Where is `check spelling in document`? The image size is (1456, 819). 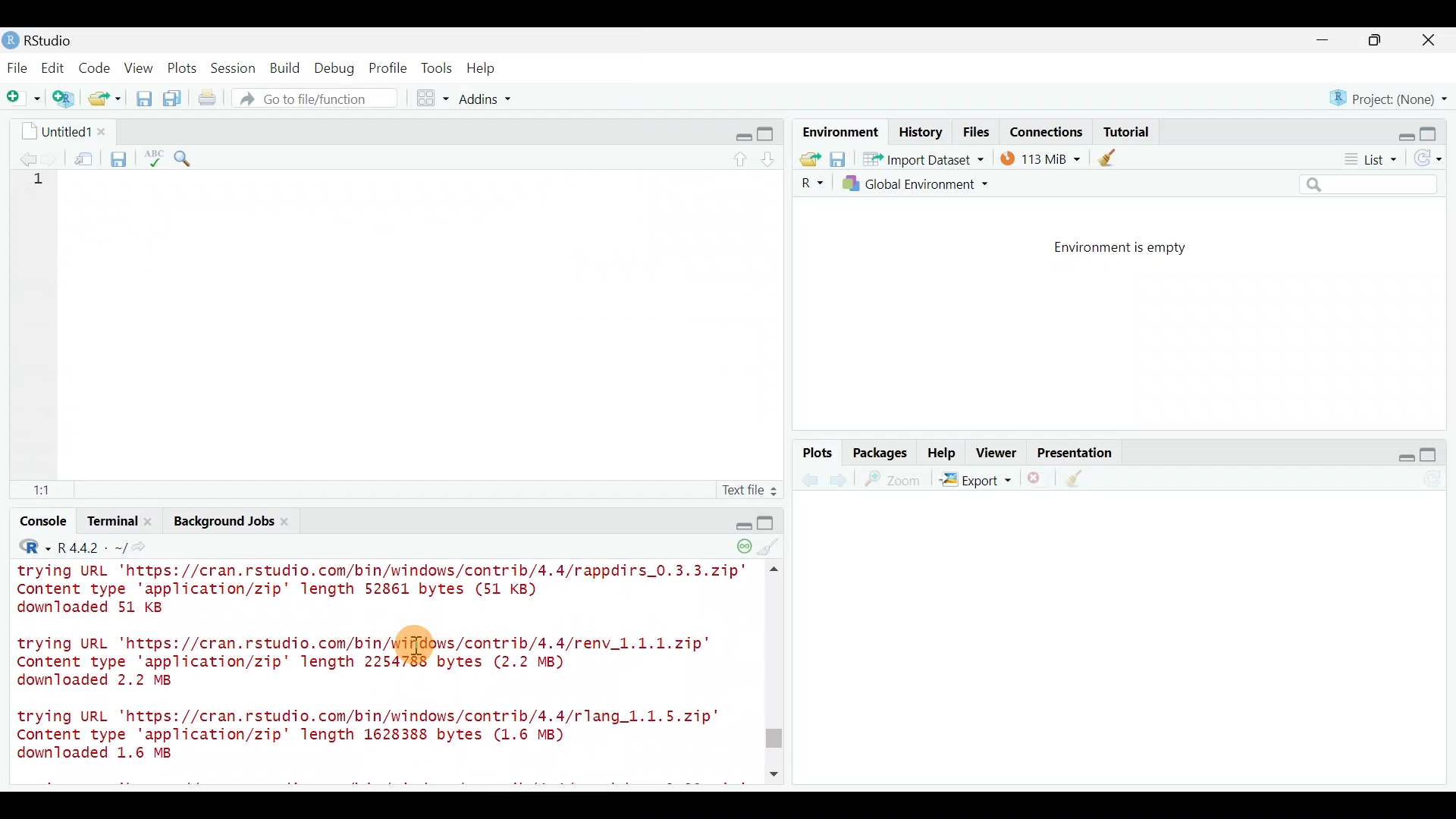
check spelling in document is located at coordinates (155, 157).